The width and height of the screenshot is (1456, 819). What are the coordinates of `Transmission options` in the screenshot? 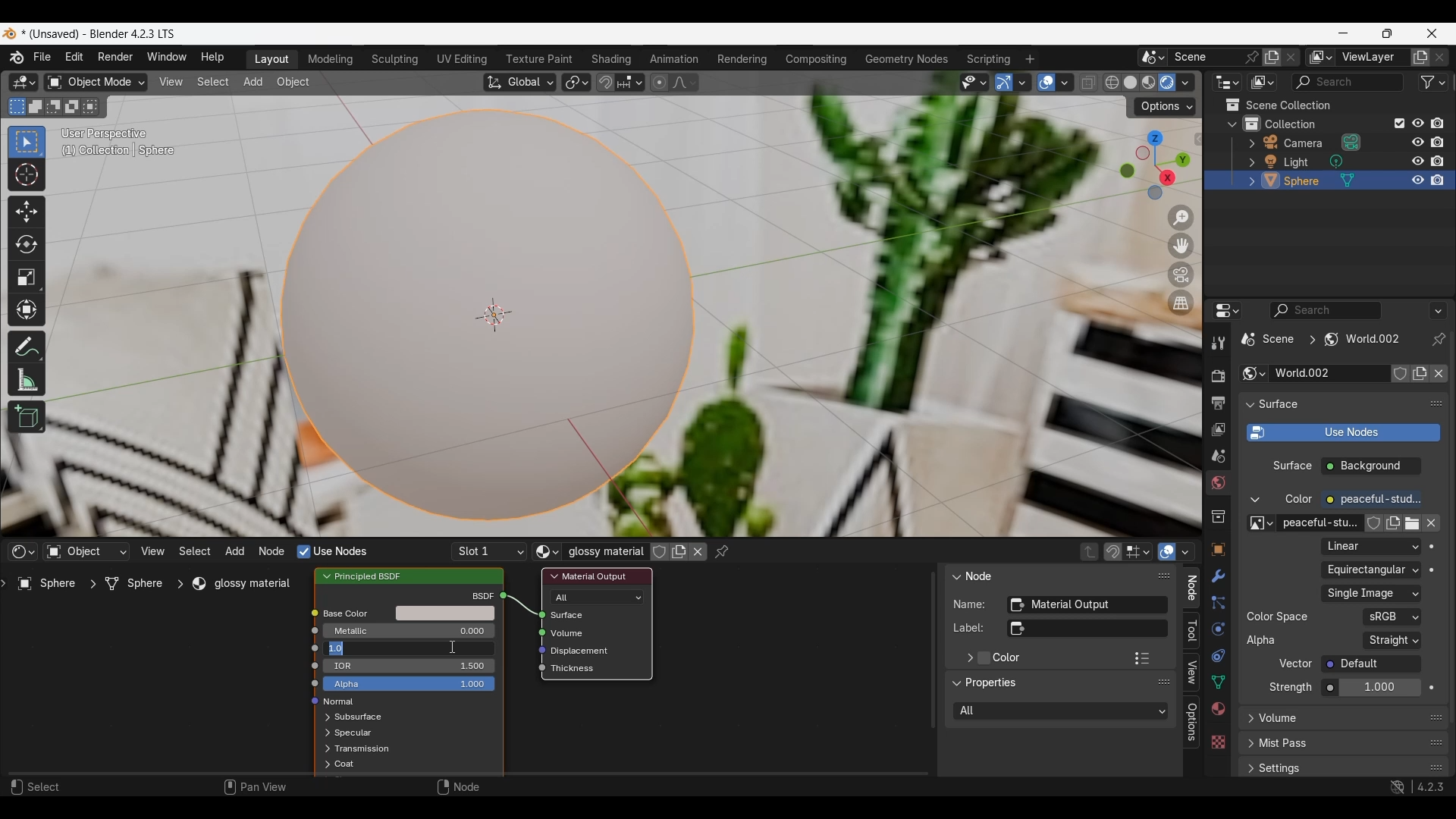 It's located at (364, 748).